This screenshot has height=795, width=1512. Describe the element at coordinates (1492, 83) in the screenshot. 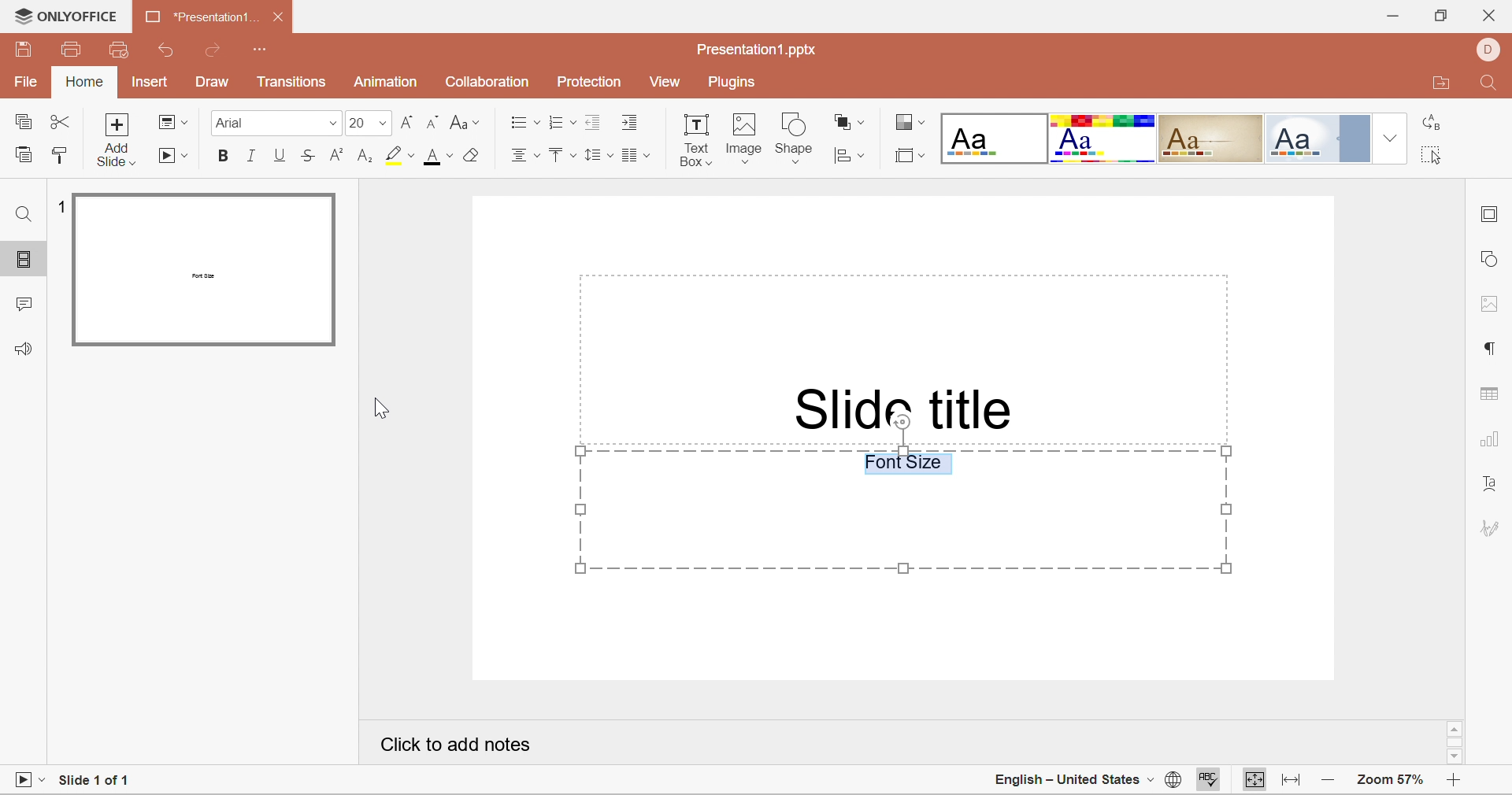

I see `Find` at that location.